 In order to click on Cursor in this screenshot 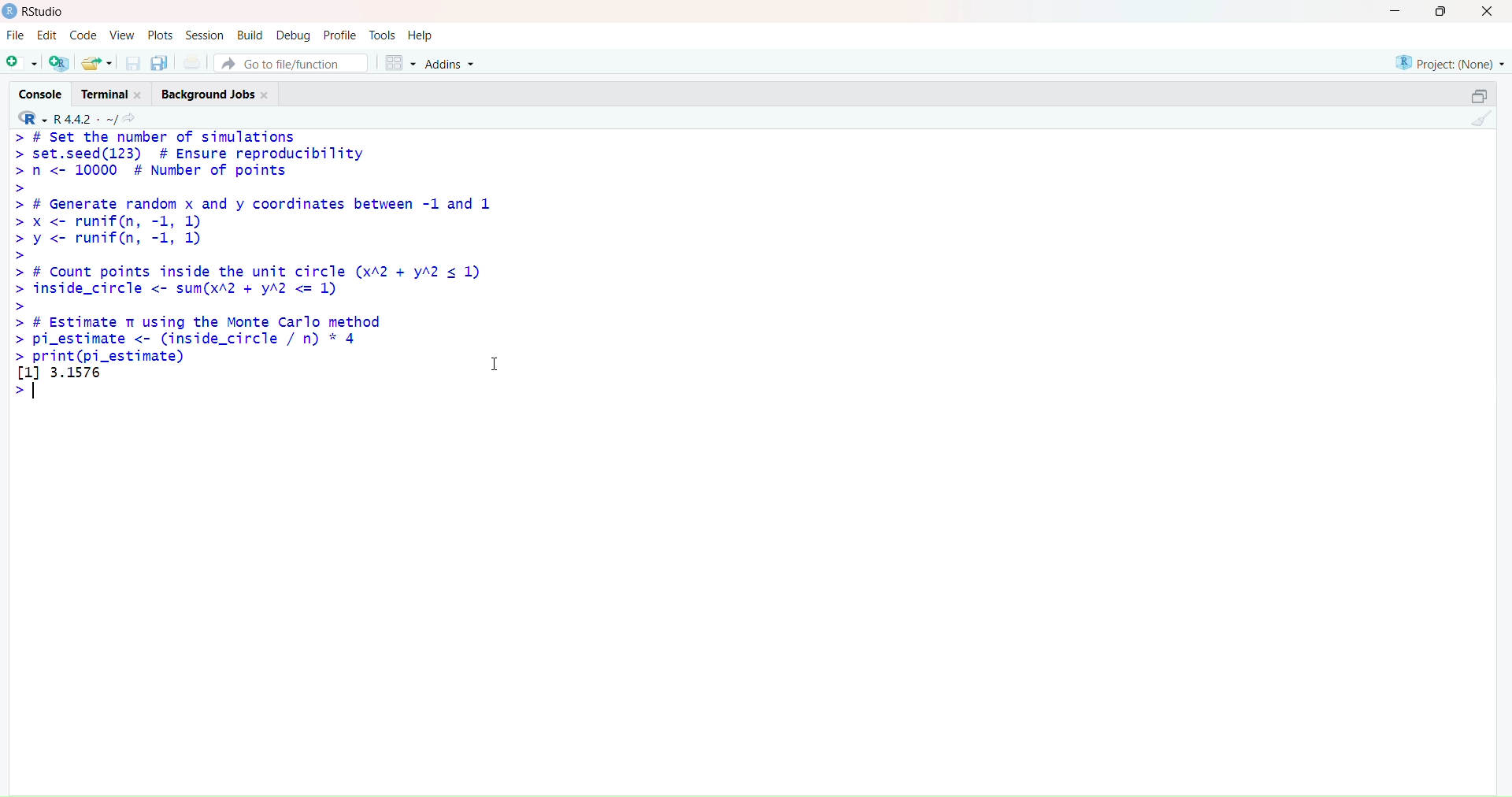, I will do `click(498, 358)`.